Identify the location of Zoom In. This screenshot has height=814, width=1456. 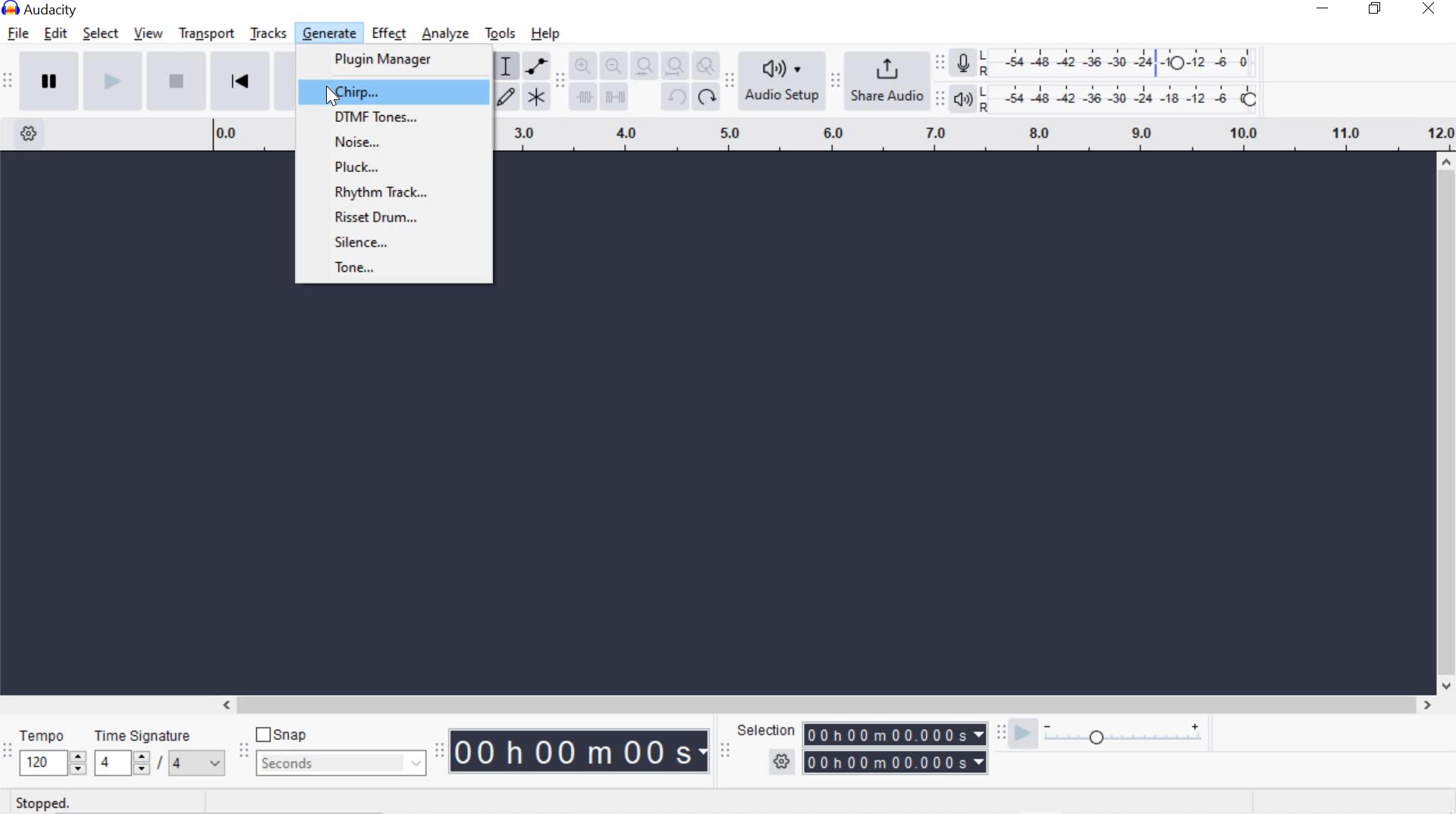
(582, 67).